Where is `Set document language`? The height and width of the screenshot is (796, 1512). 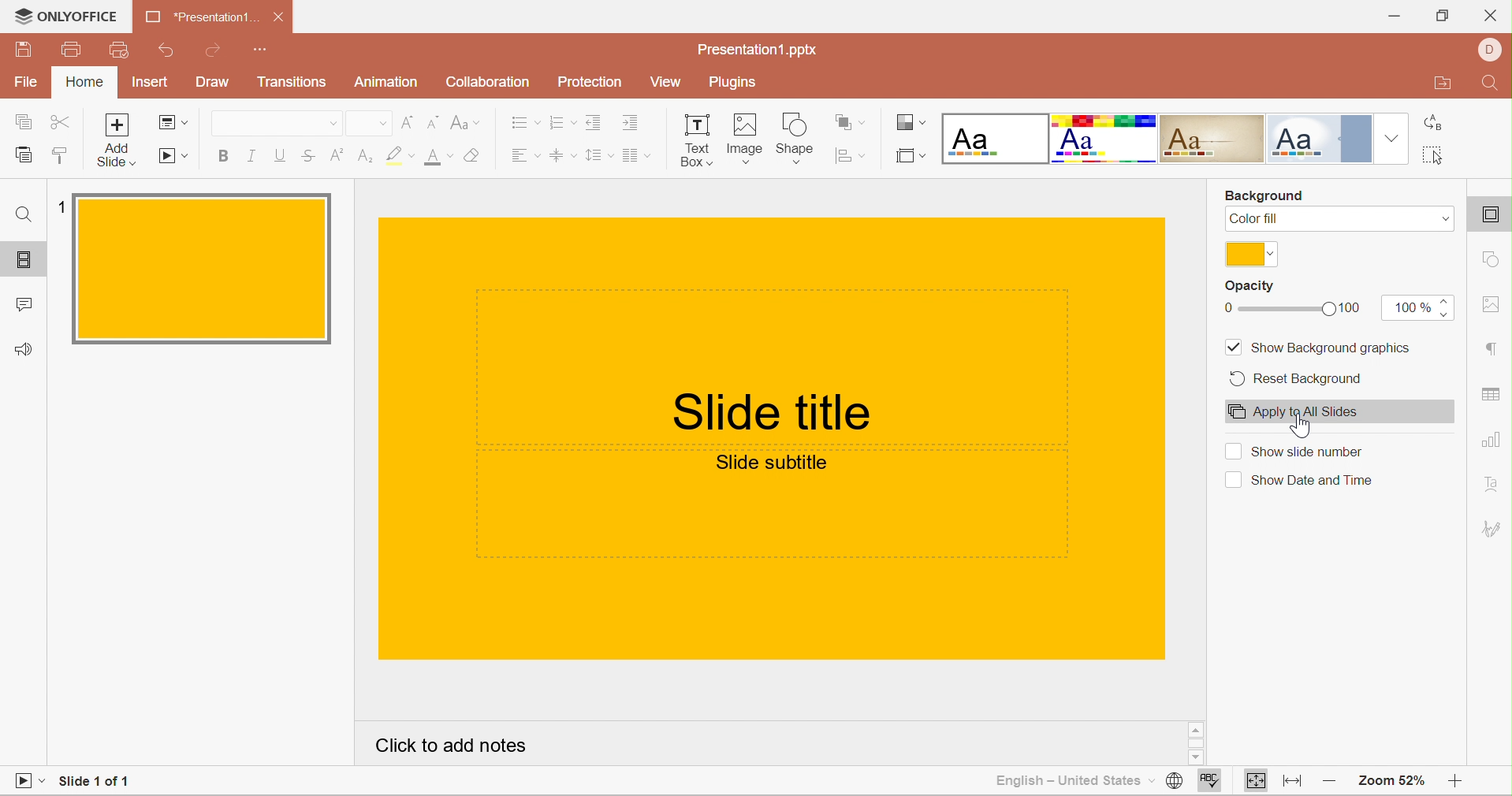 Set document language is located at coordinates (1173, 780).